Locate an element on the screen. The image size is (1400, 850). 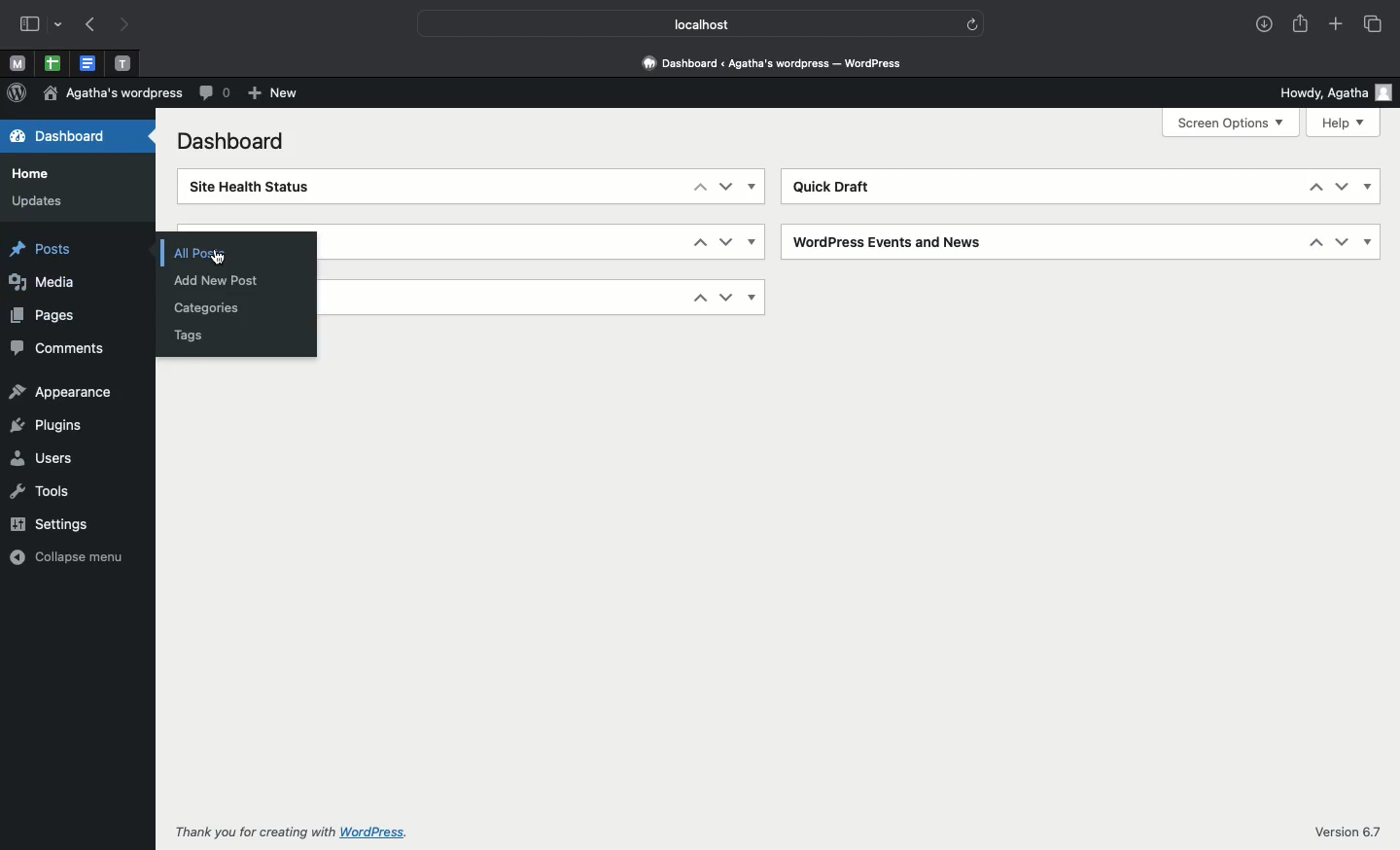
Previous page is located at coordinates (88, 25).